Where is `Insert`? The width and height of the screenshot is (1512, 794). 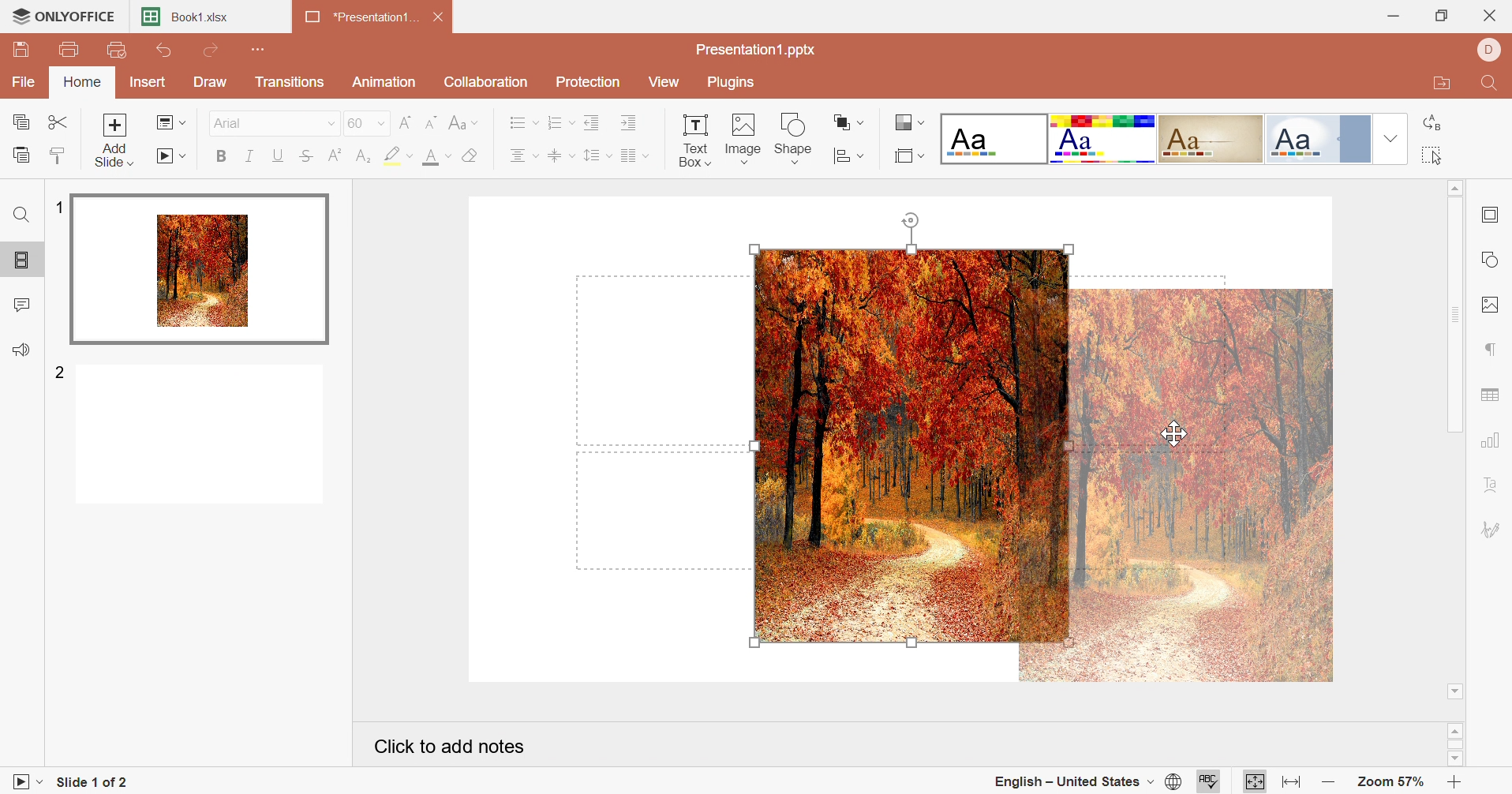
Insert is located at coordinates (147, 84).